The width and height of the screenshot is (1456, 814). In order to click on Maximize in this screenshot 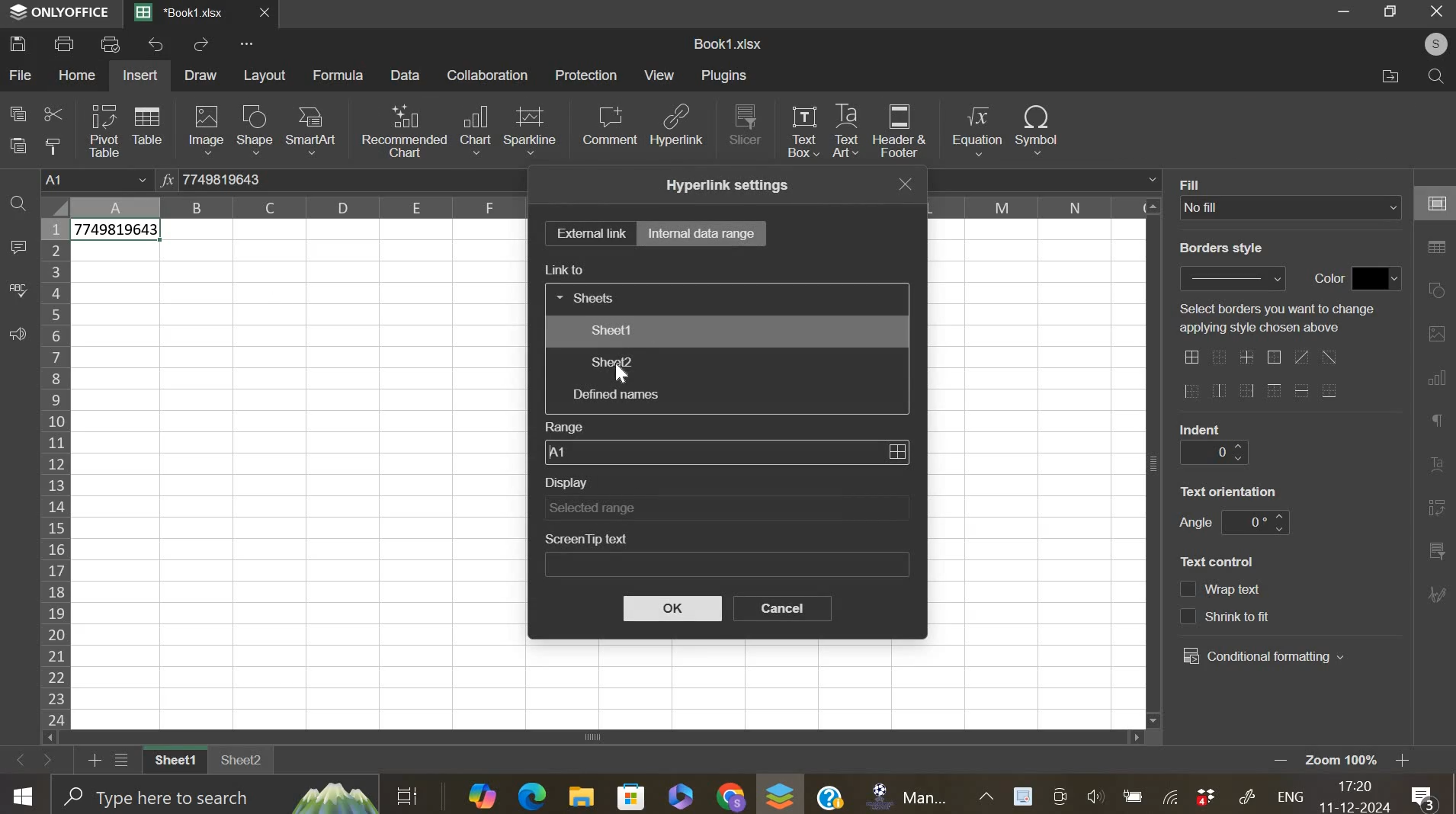, I will do `click(1393, 11)`.